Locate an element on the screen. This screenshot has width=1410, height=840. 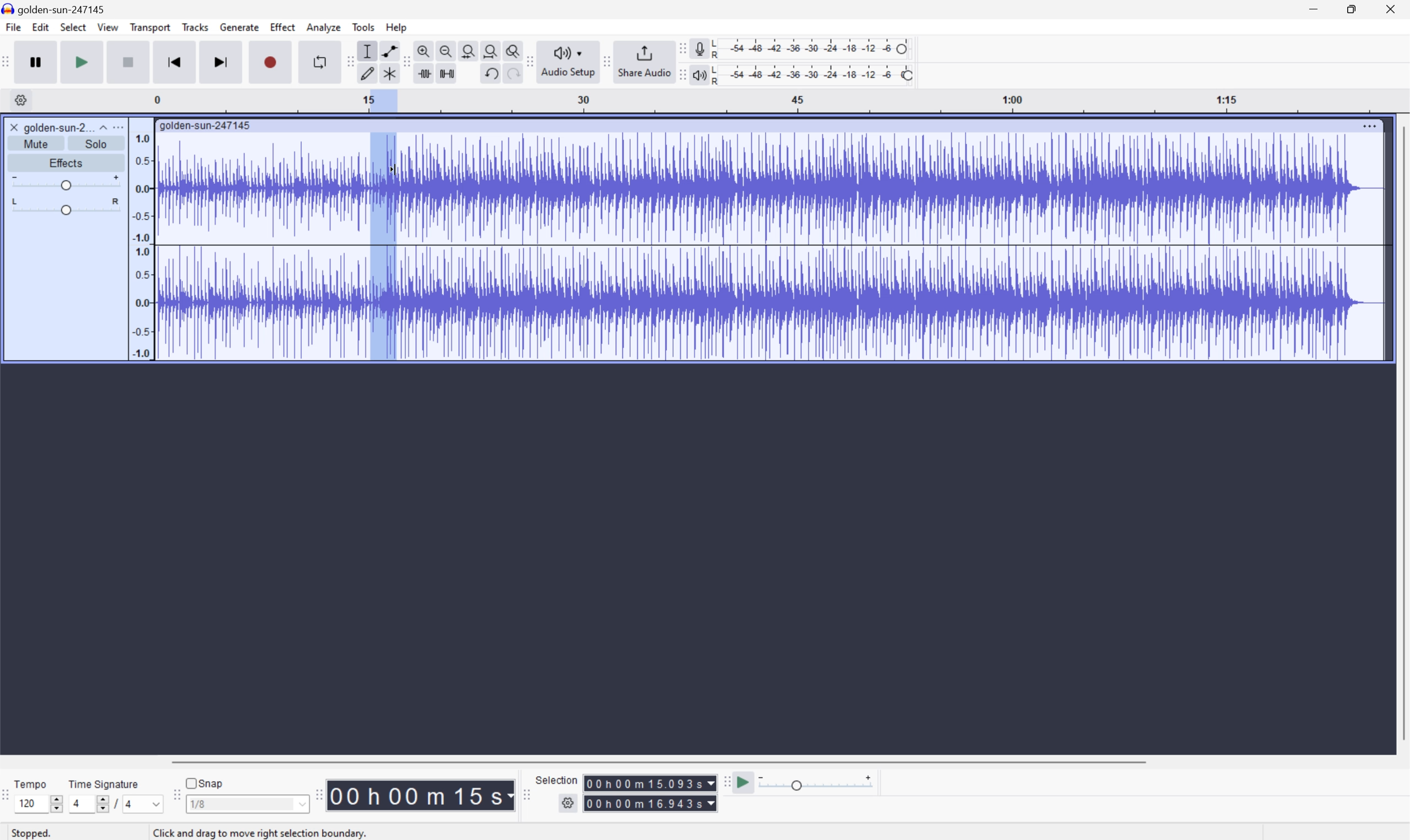
Share Audio is located at coordinates (642, 61).